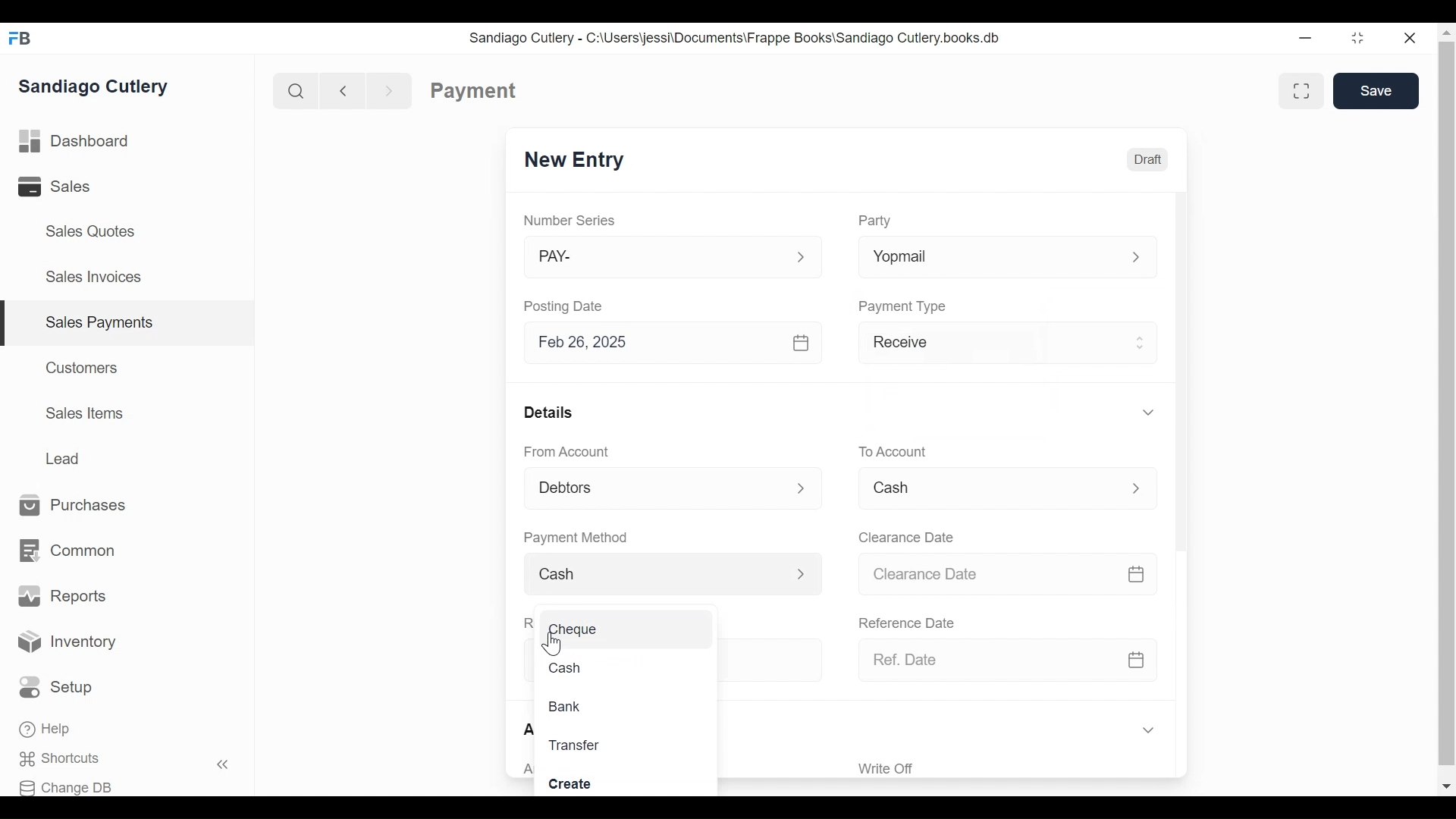 Image resolution: width=1456 pixels, height=819 pixels. Describe the element at coordinates (83, 367) in the screenshot. I see `Customers` at that location.